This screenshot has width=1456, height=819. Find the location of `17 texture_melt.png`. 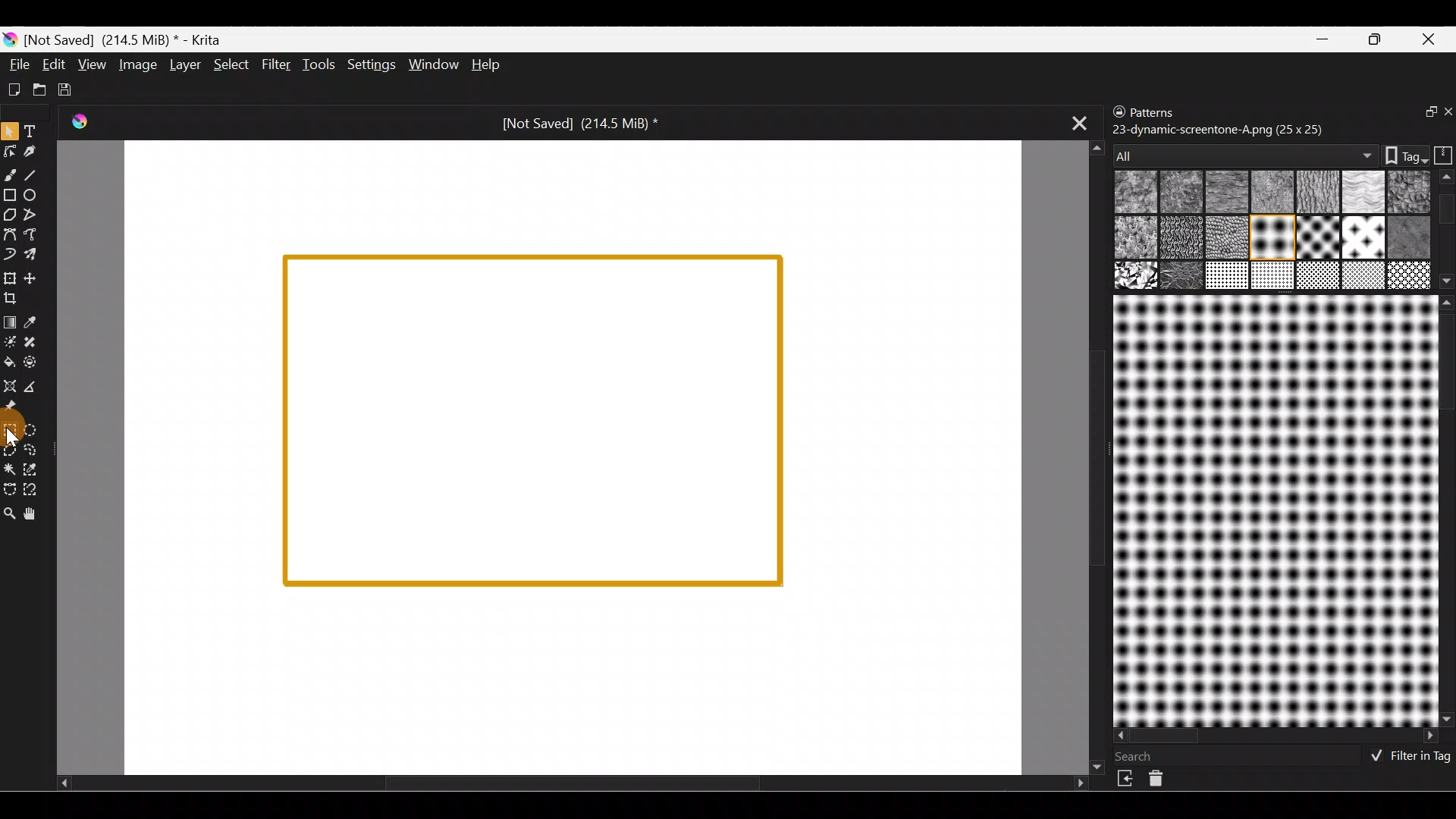

17 texture_melt.png is located at coordinates (1274, 275).